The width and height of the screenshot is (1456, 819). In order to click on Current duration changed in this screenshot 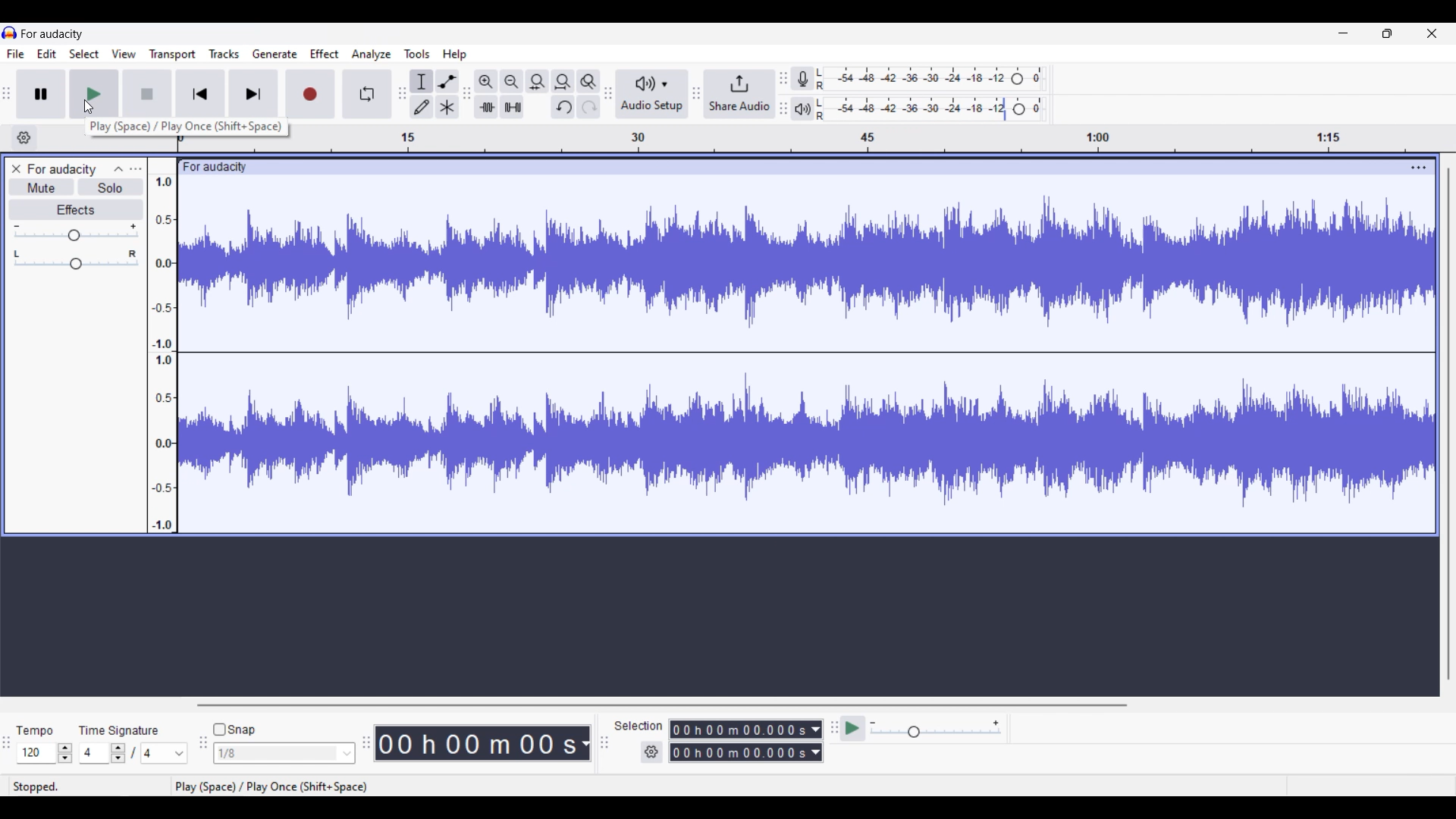, I will do `click(476, 742)`.